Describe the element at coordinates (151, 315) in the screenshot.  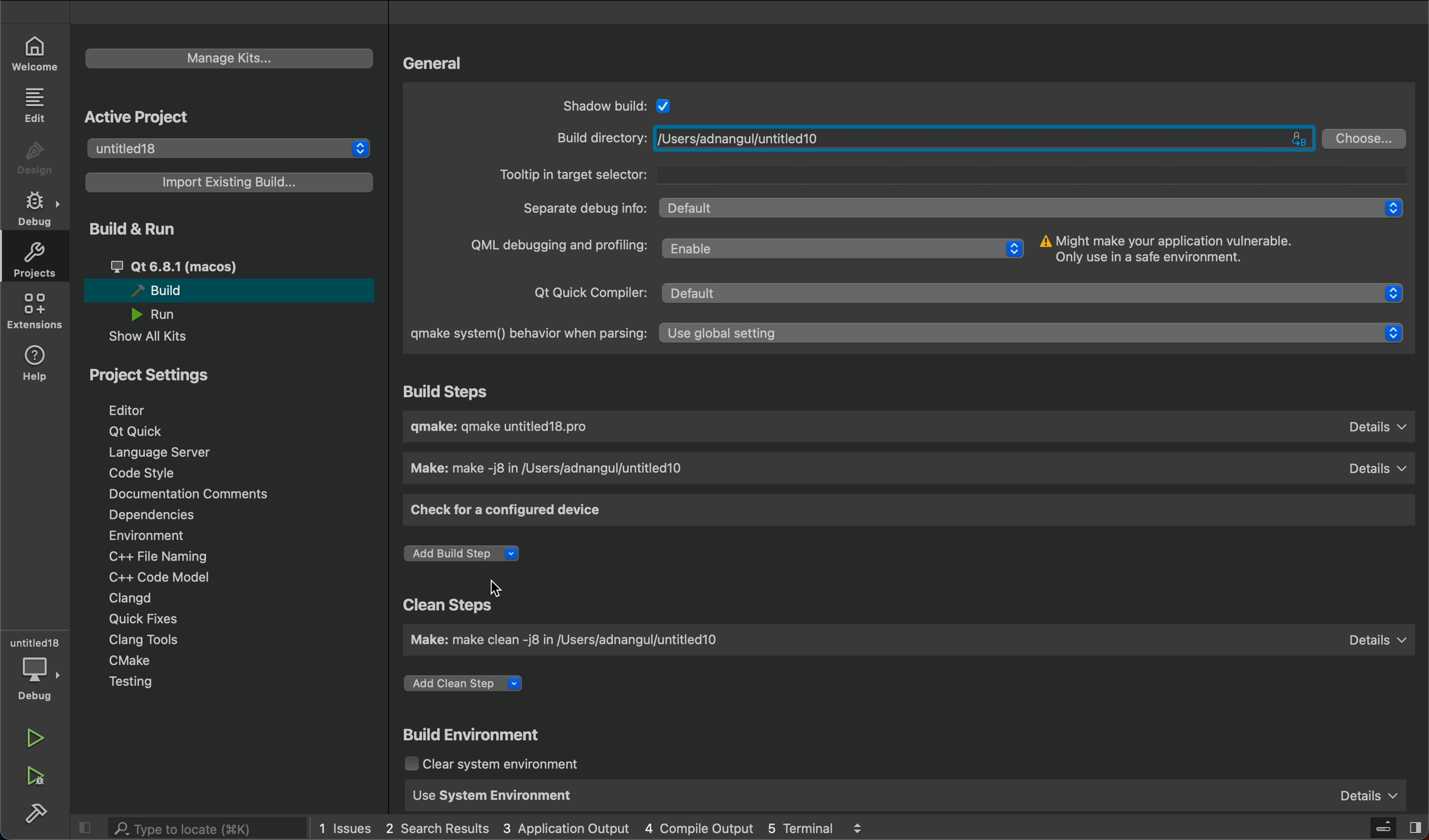
I see `Run` at that location.